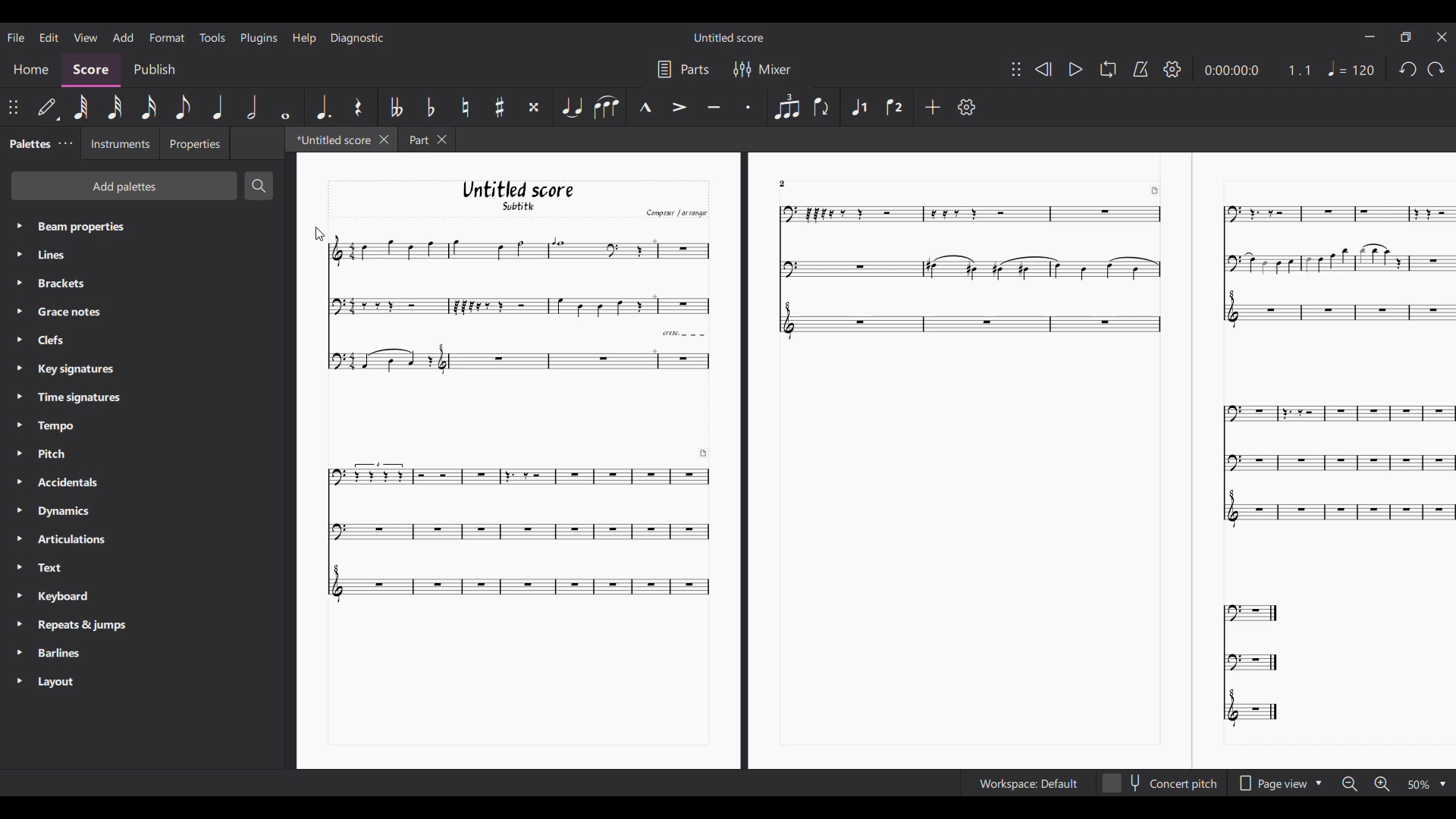  I want to click on Grace notes, so click(71, 311).